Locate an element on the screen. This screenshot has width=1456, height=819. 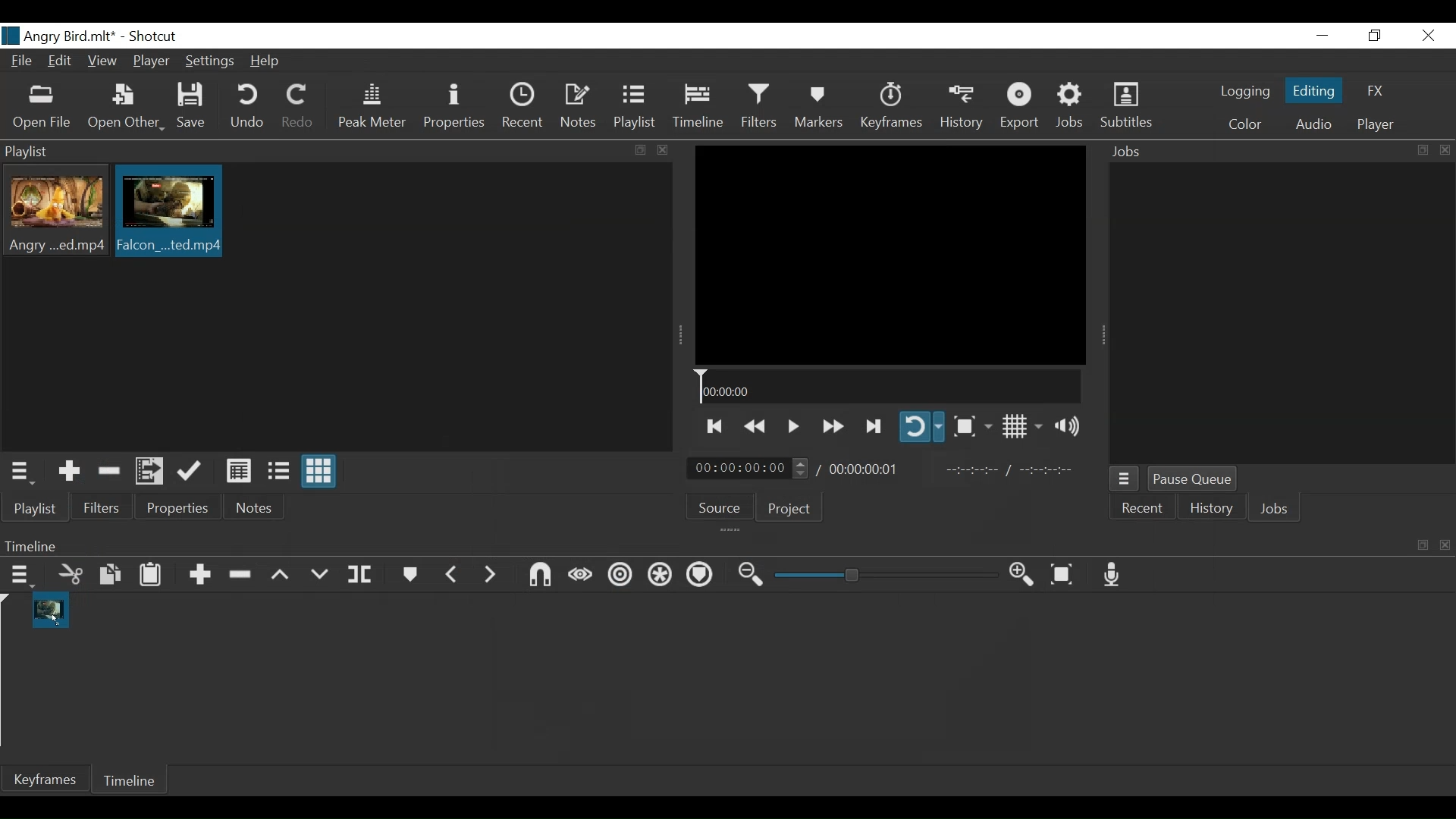
Recent is located at coordinates (1141, 510).